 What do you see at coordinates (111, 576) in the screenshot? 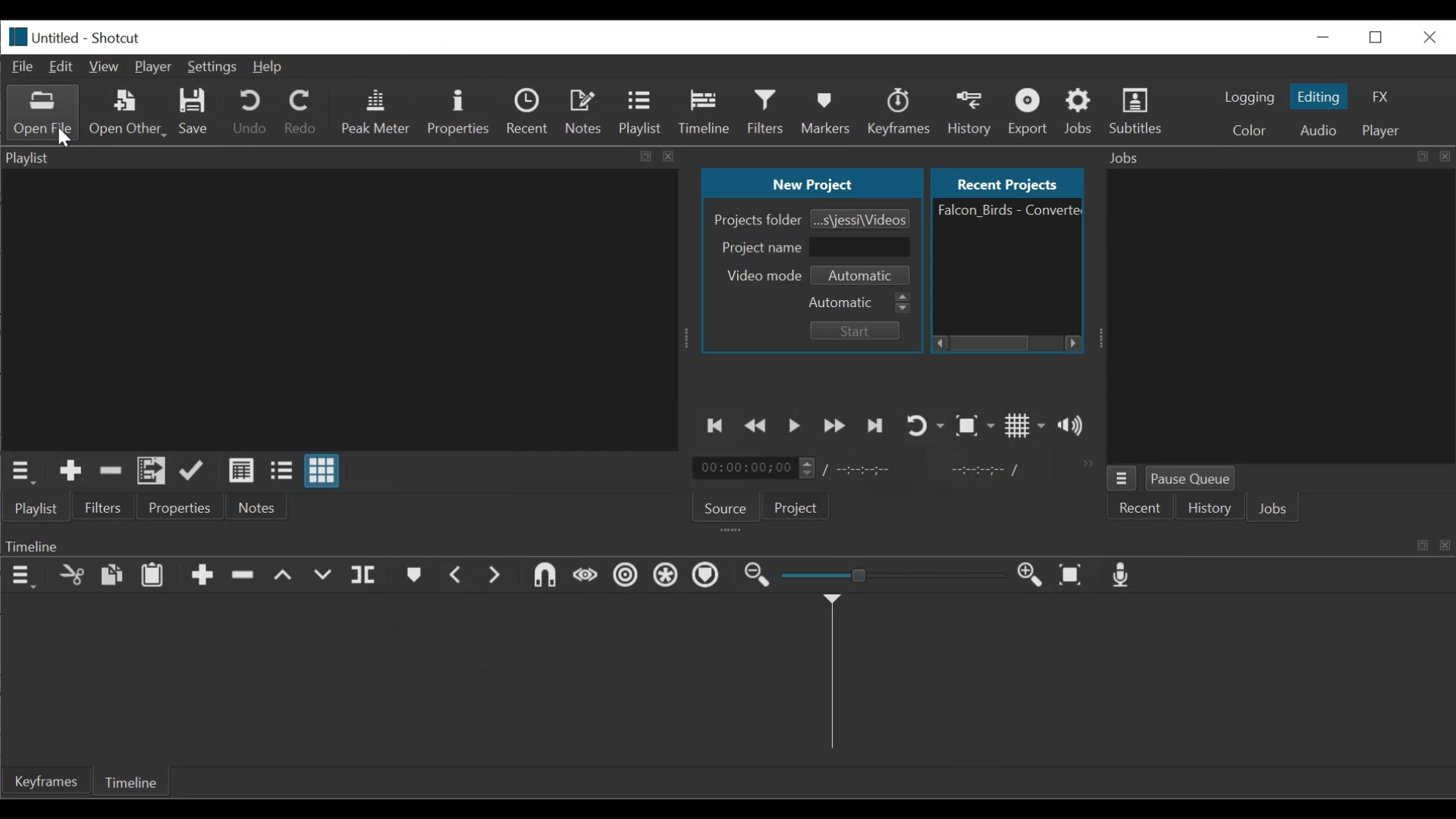
I see `Copy` at bounding box center [111, 576].